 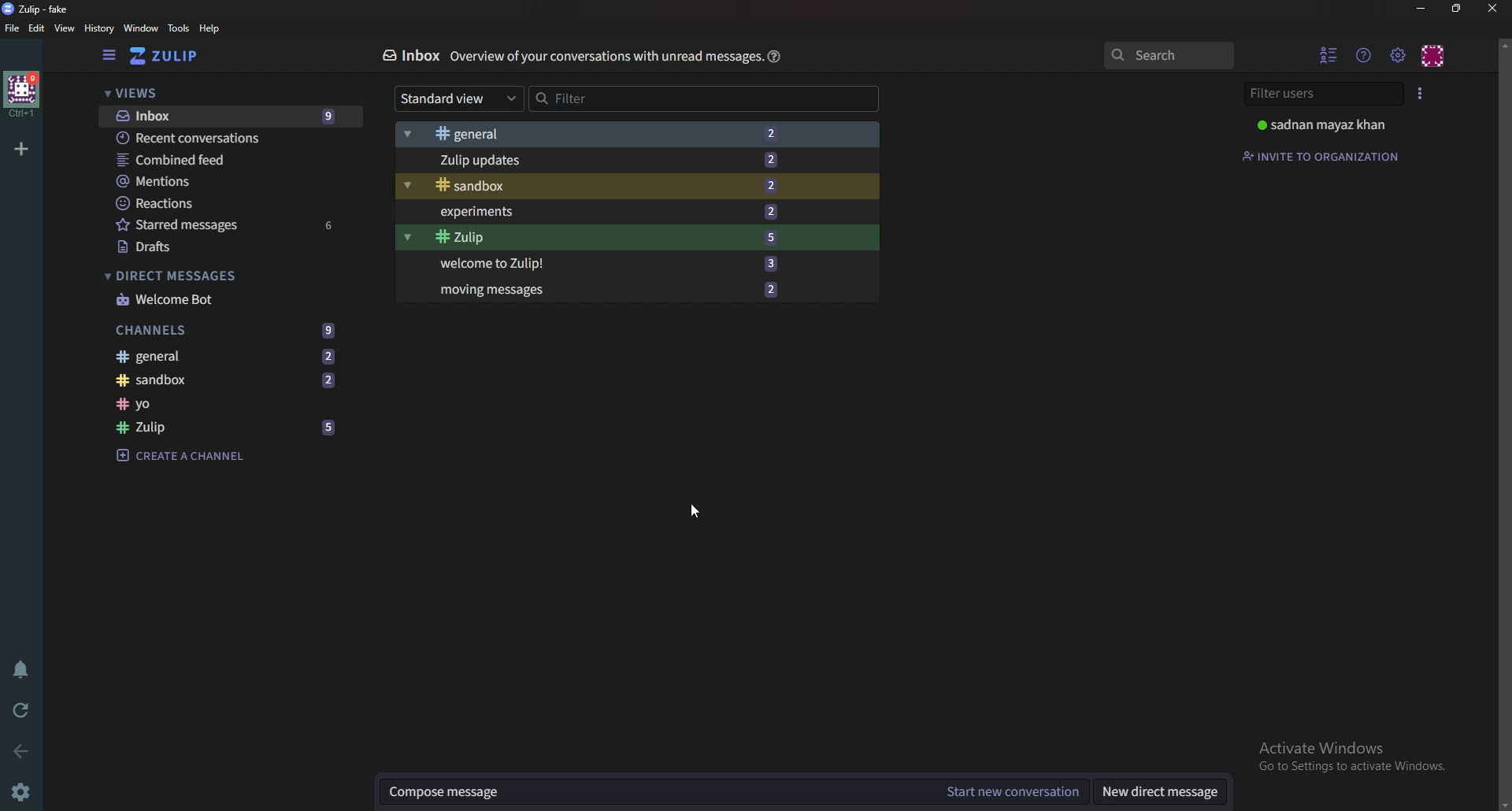 What do you see at coordinates (614, 262) in the screenshot?
I see `Welcome to Zulip` at bounding box center [614, 262].